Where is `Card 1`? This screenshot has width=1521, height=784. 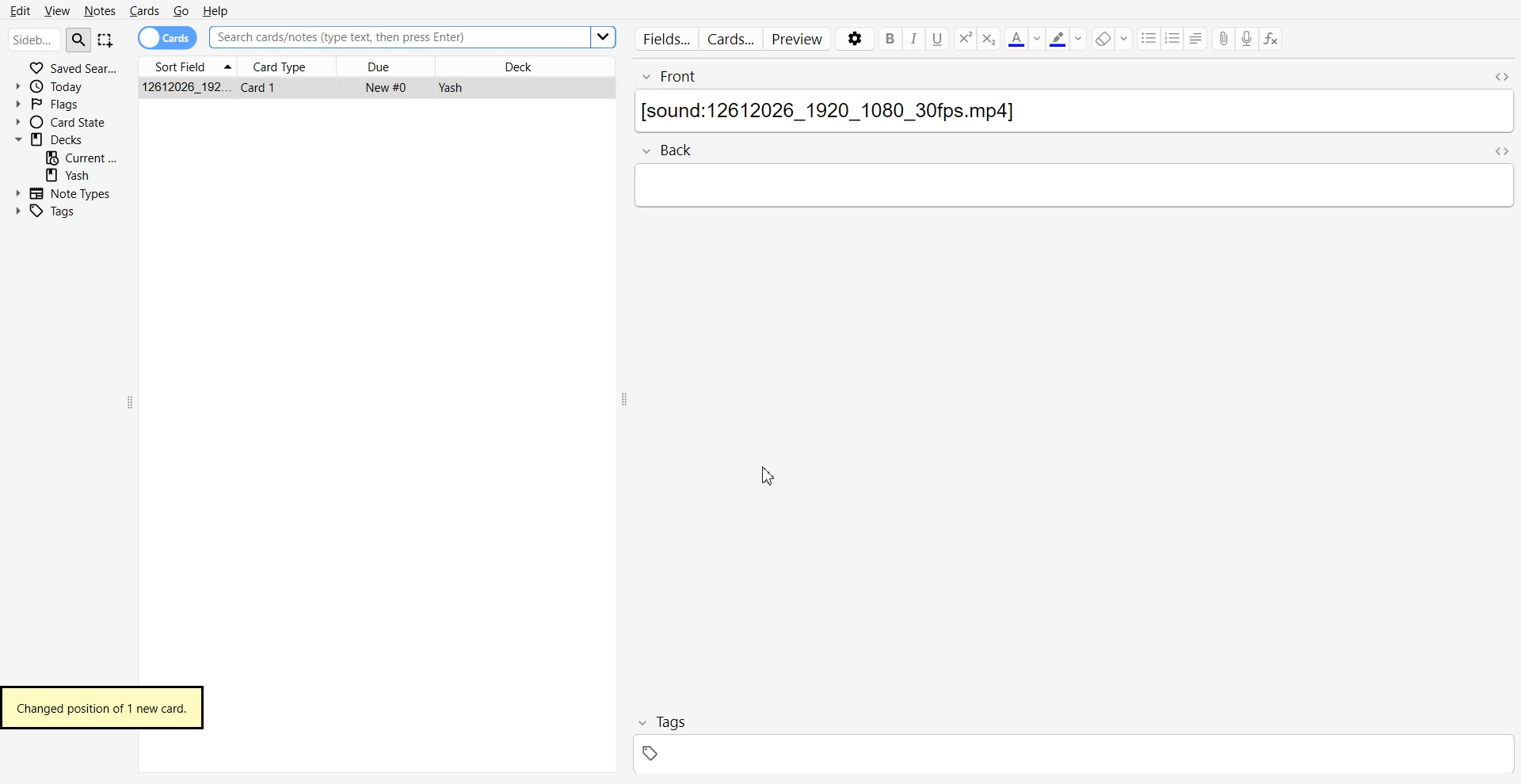
Card 1 is located at coordinates (262, 89).